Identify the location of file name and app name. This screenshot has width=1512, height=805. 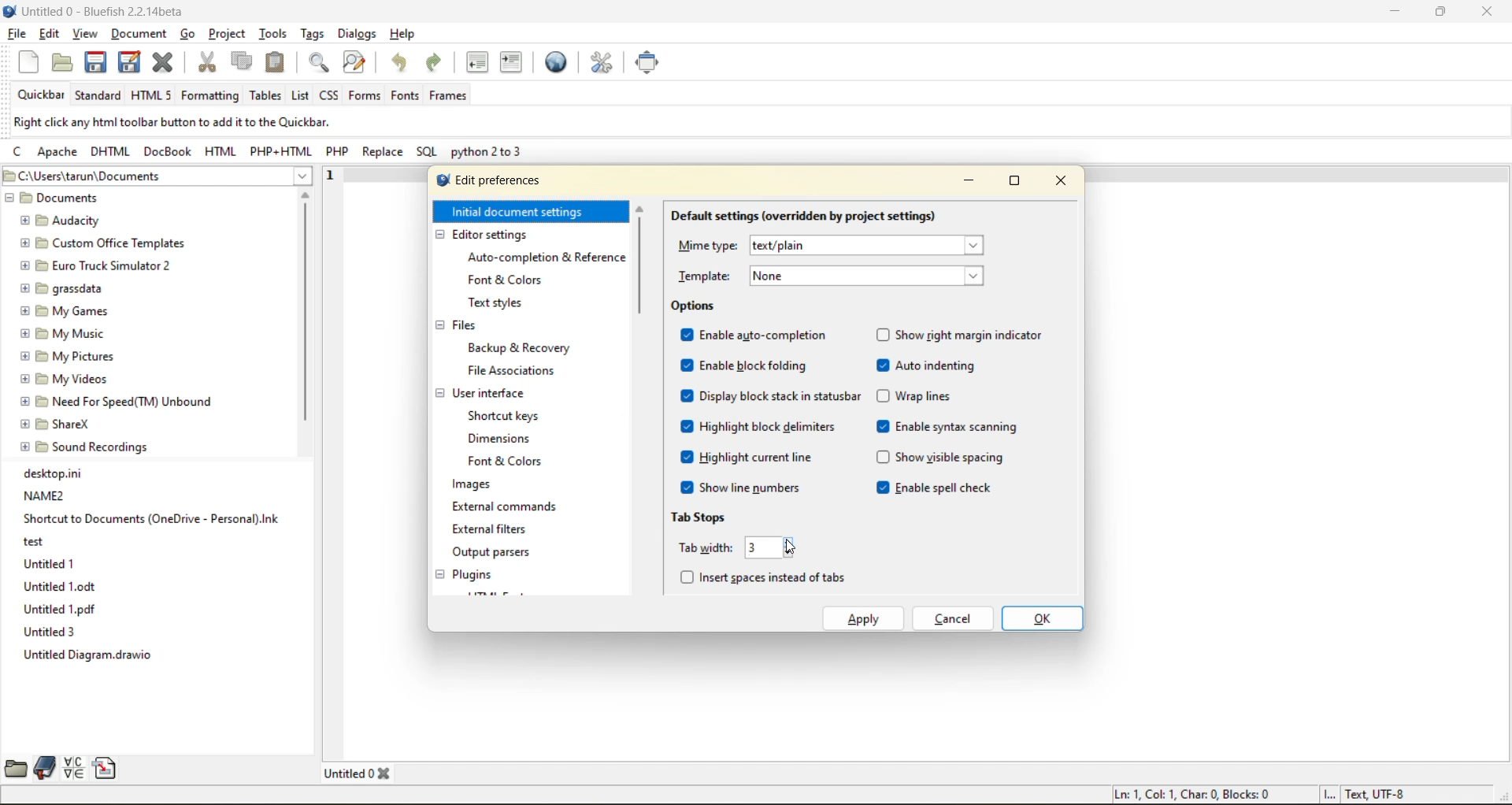
(105, 11).